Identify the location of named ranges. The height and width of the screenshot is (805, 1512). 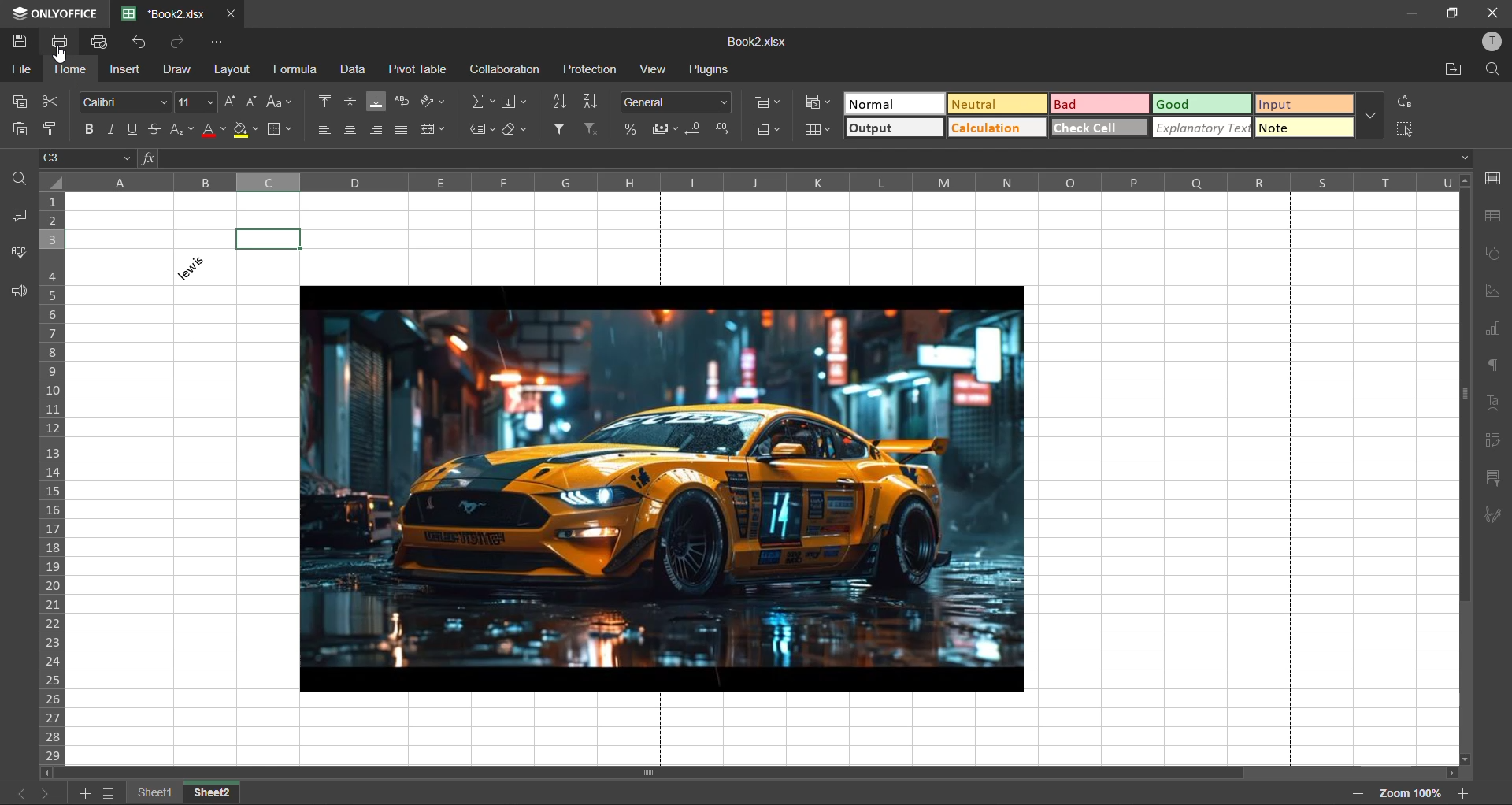
(481, 129).